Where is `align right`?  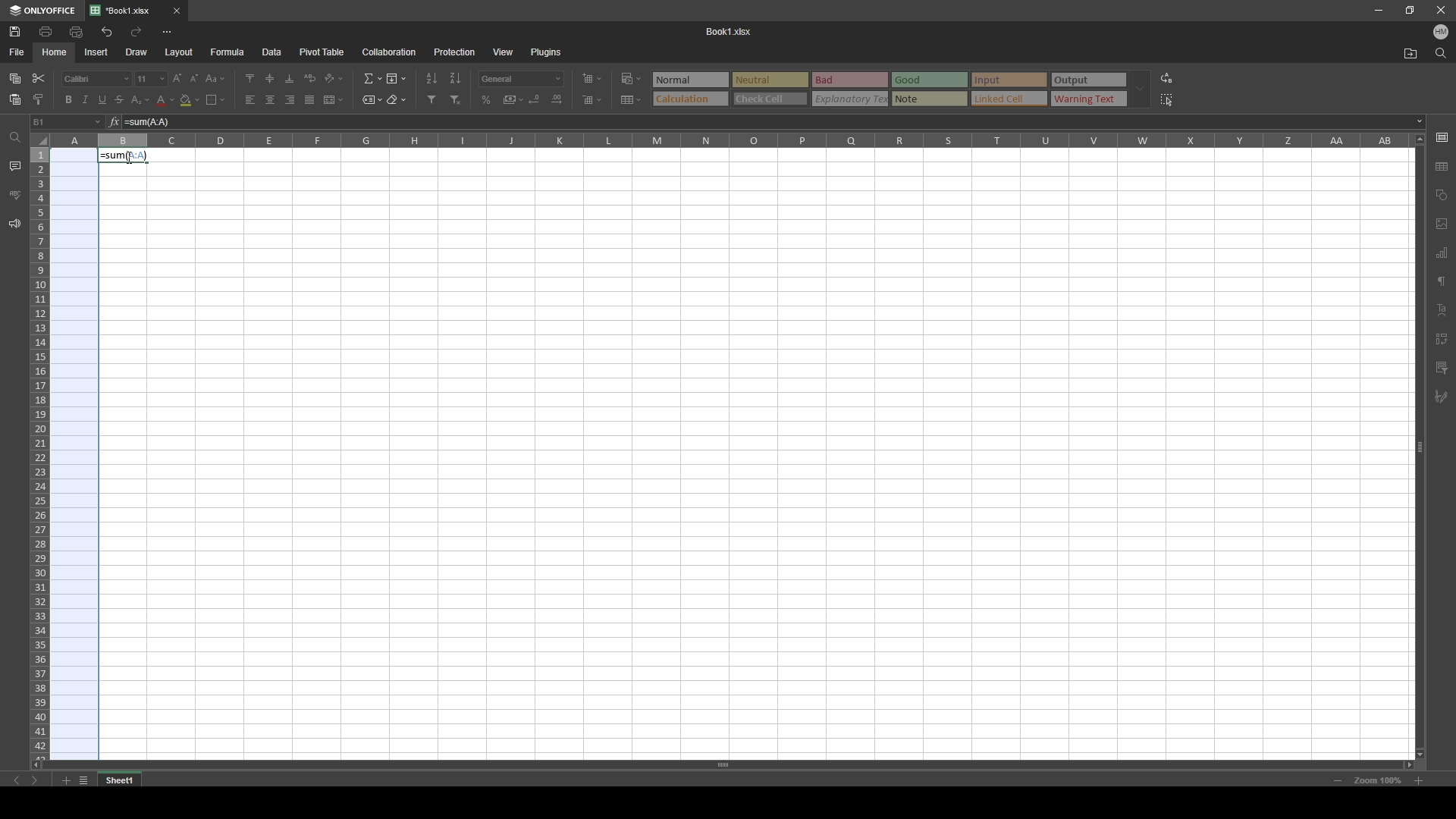 align right is located at coordinates (290, 100).